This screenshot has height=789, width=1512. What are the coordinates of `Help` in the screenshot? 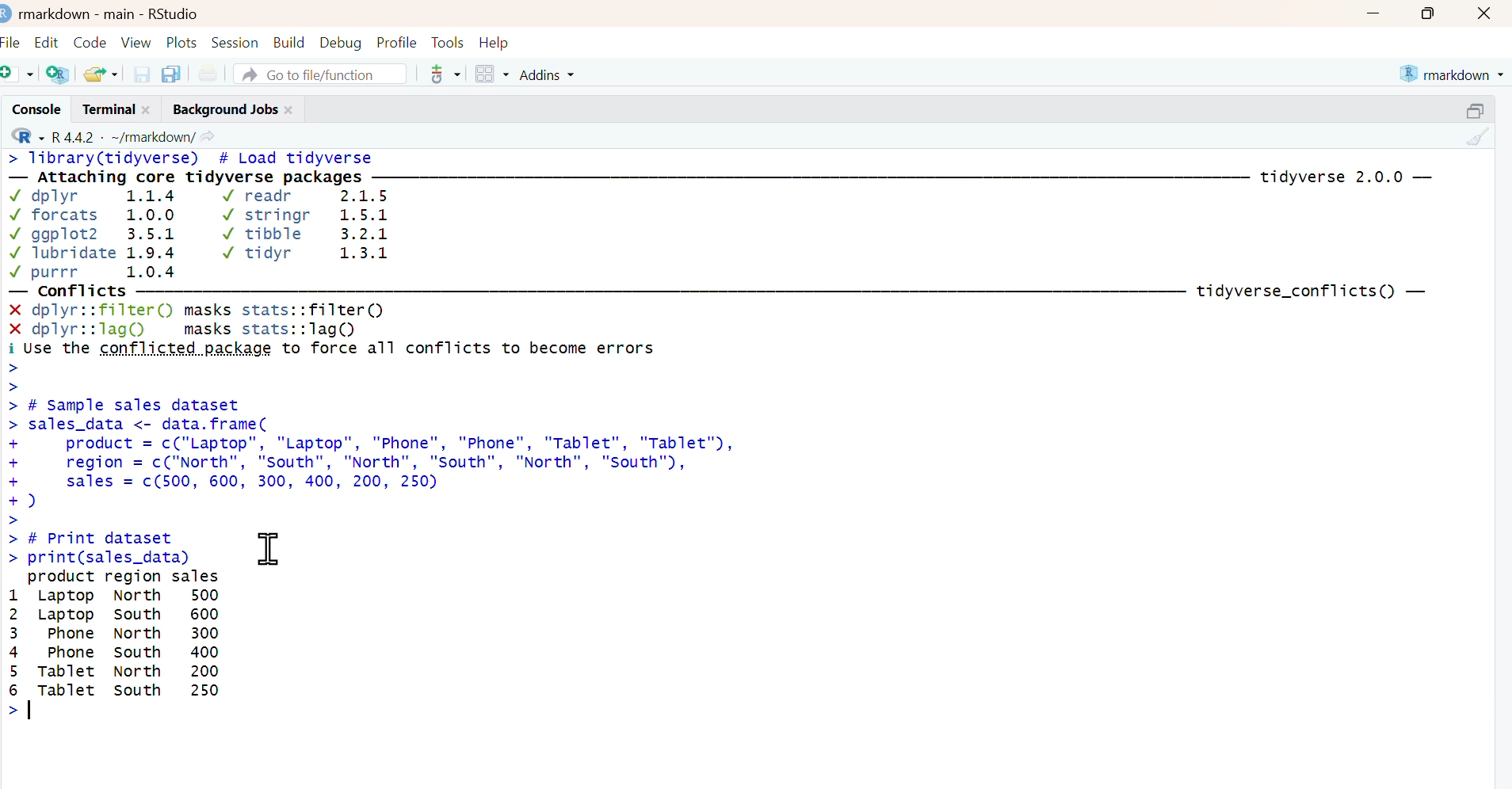 It's located at (499, 41).